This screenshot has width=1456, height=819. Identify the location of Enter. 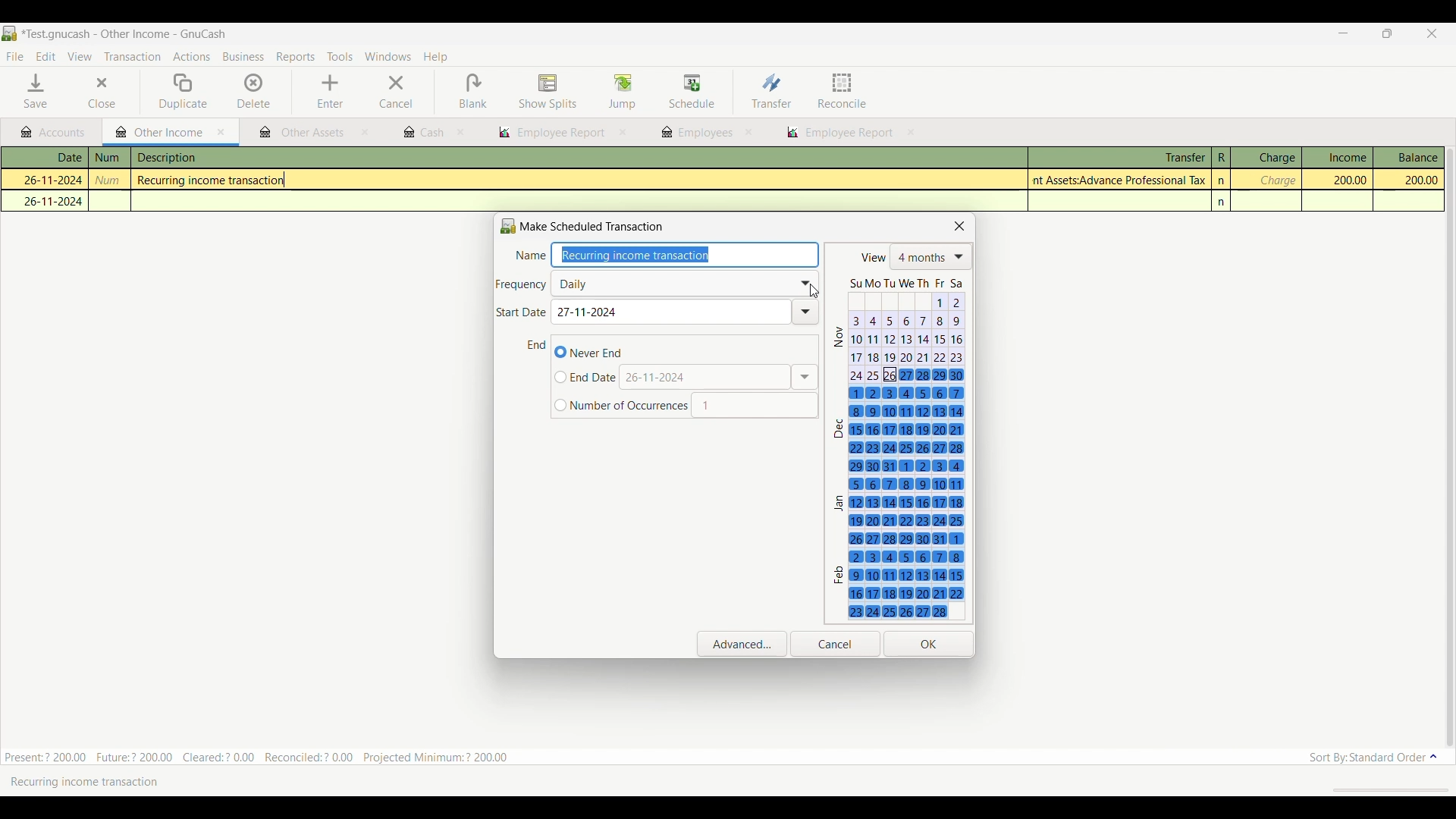
(330, 92).